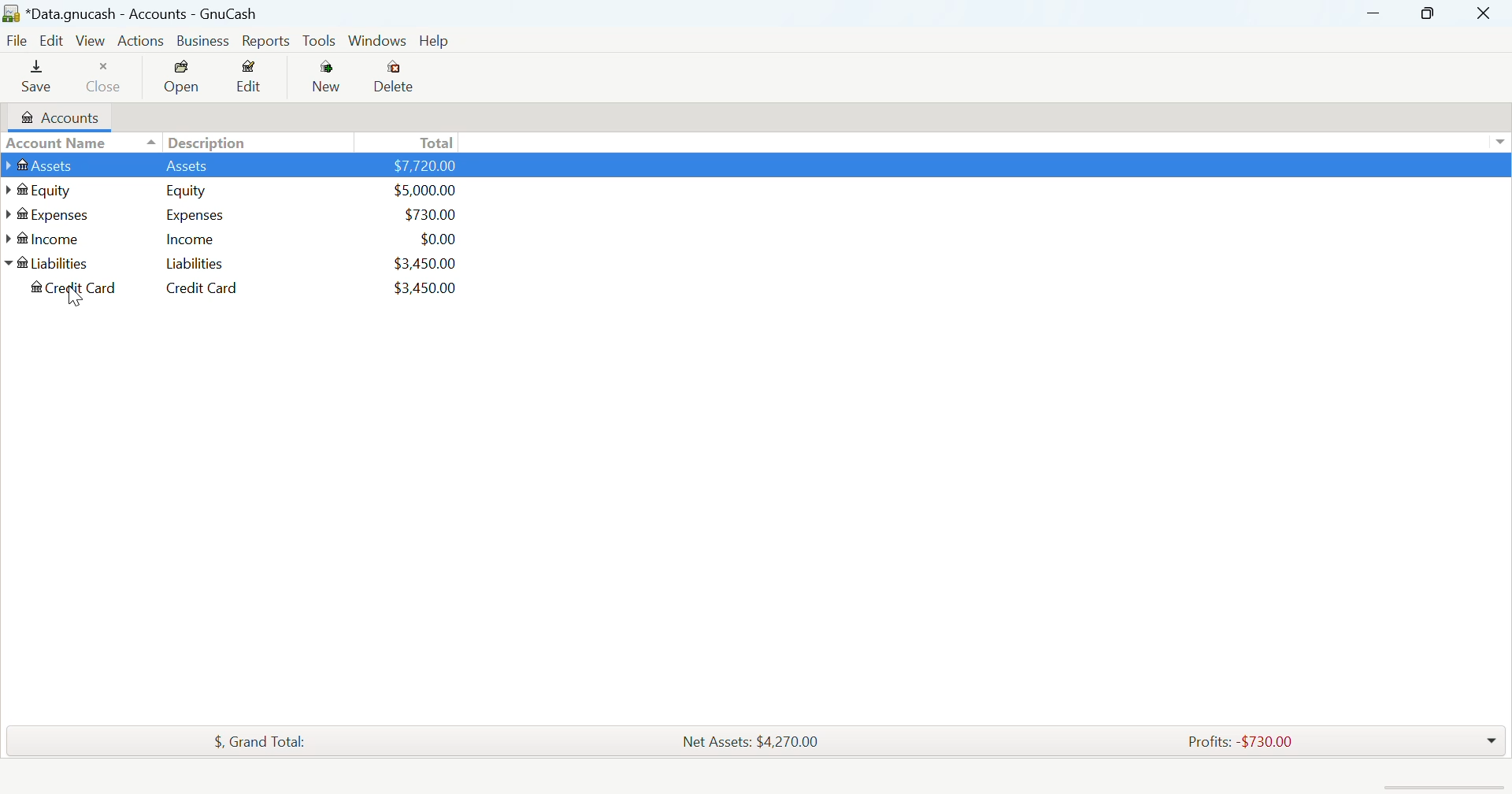 The width and height of the screenshot is (1512, 794). Describe the element at coordinates (1487, 13) in the screenshot. I see `Close Window` at that location.